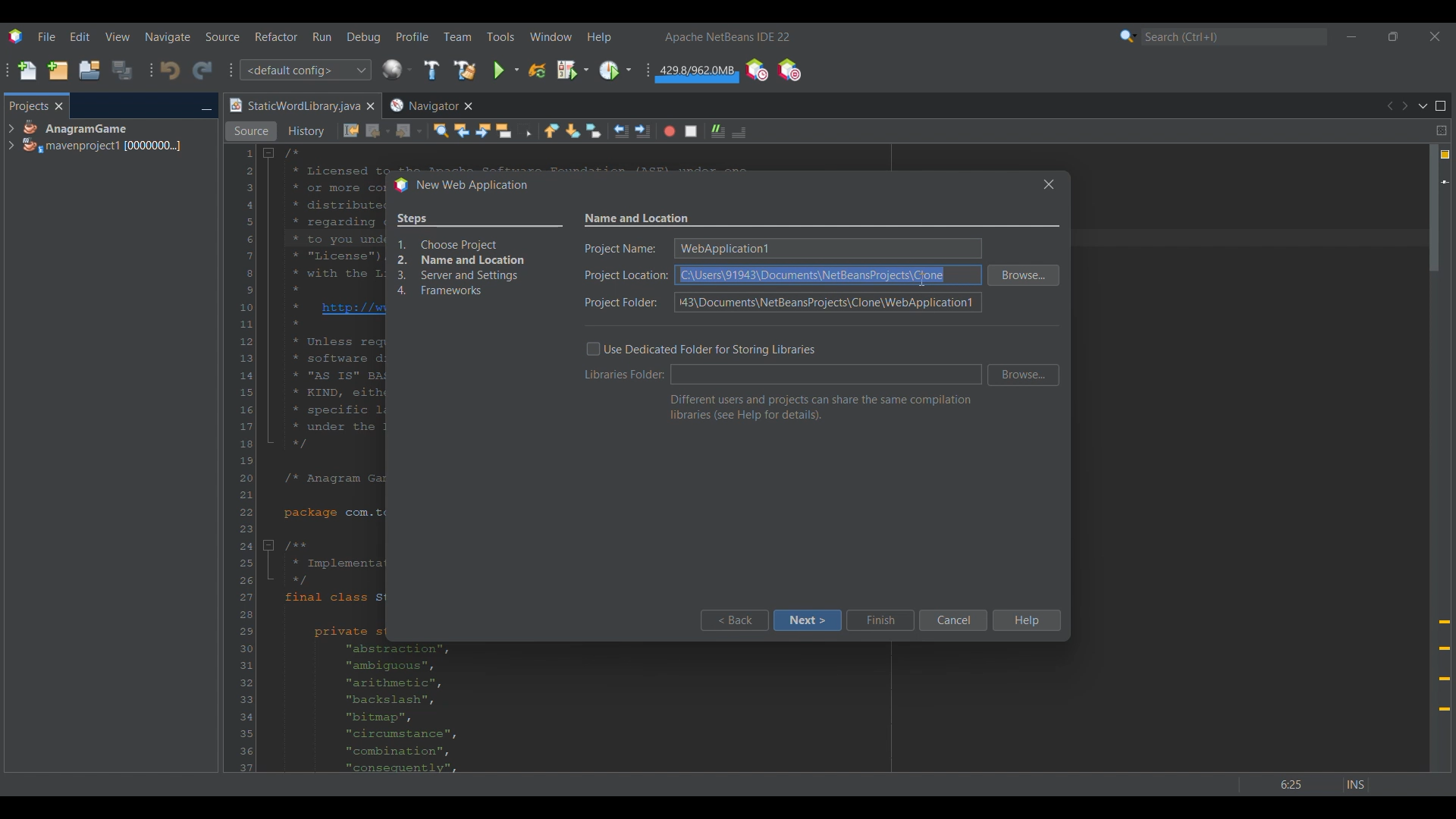  I want to click on Refactor menu, so click(276, 36).